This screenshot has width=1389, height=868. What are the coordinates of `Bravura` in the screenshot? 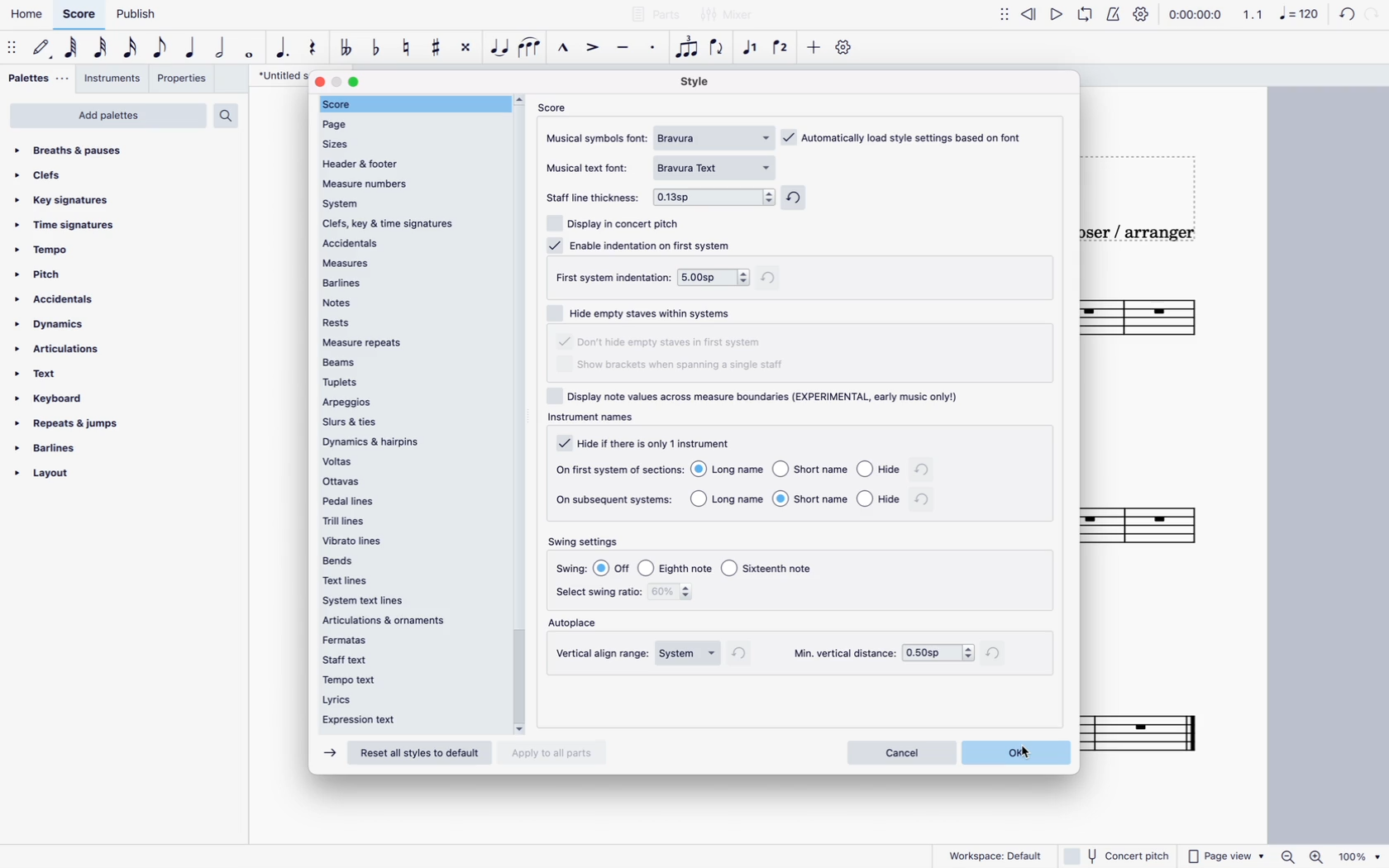 It's located at (716, 137).